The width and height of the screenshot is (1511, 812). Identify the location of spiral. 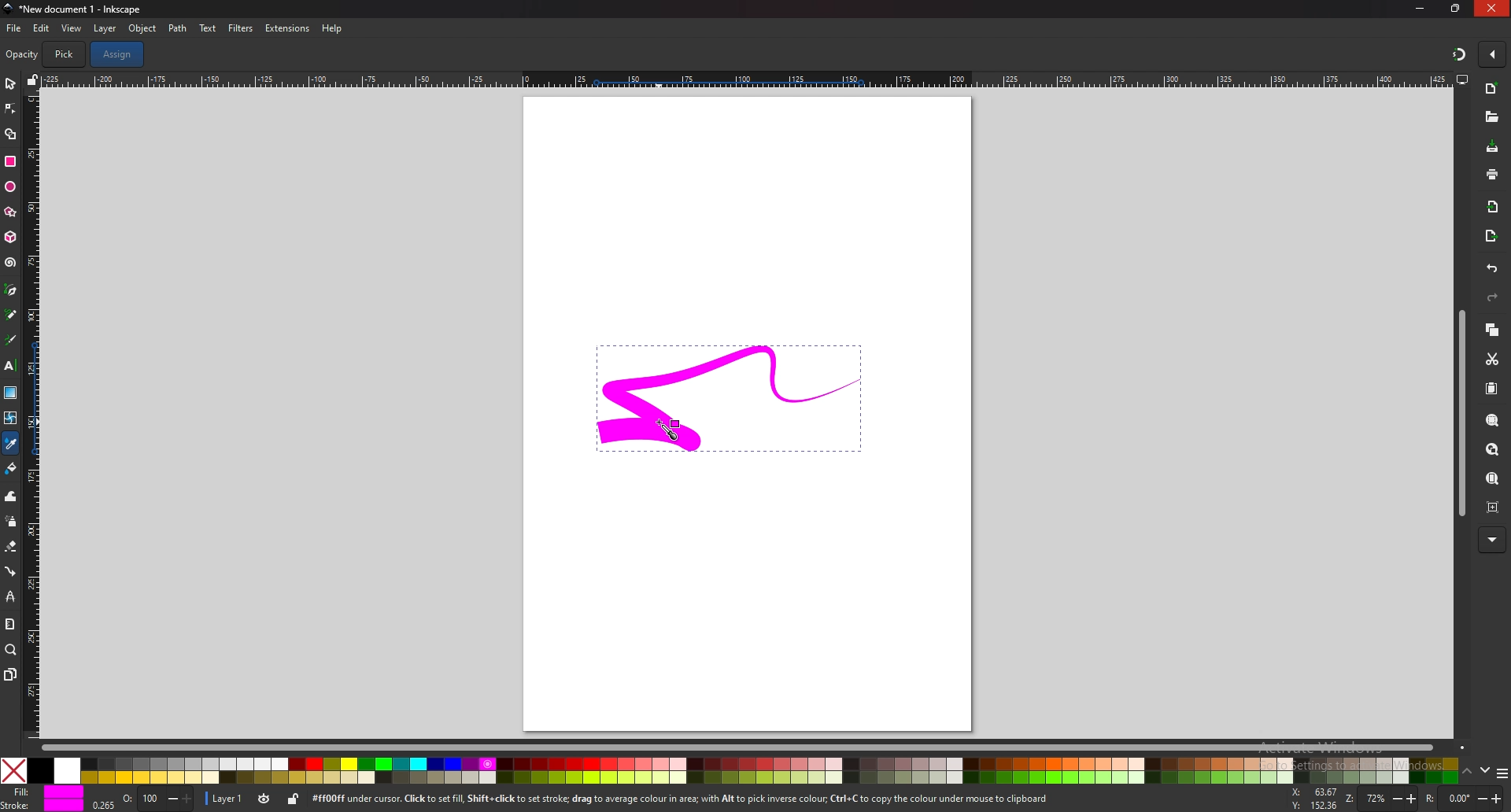
(11, 262).